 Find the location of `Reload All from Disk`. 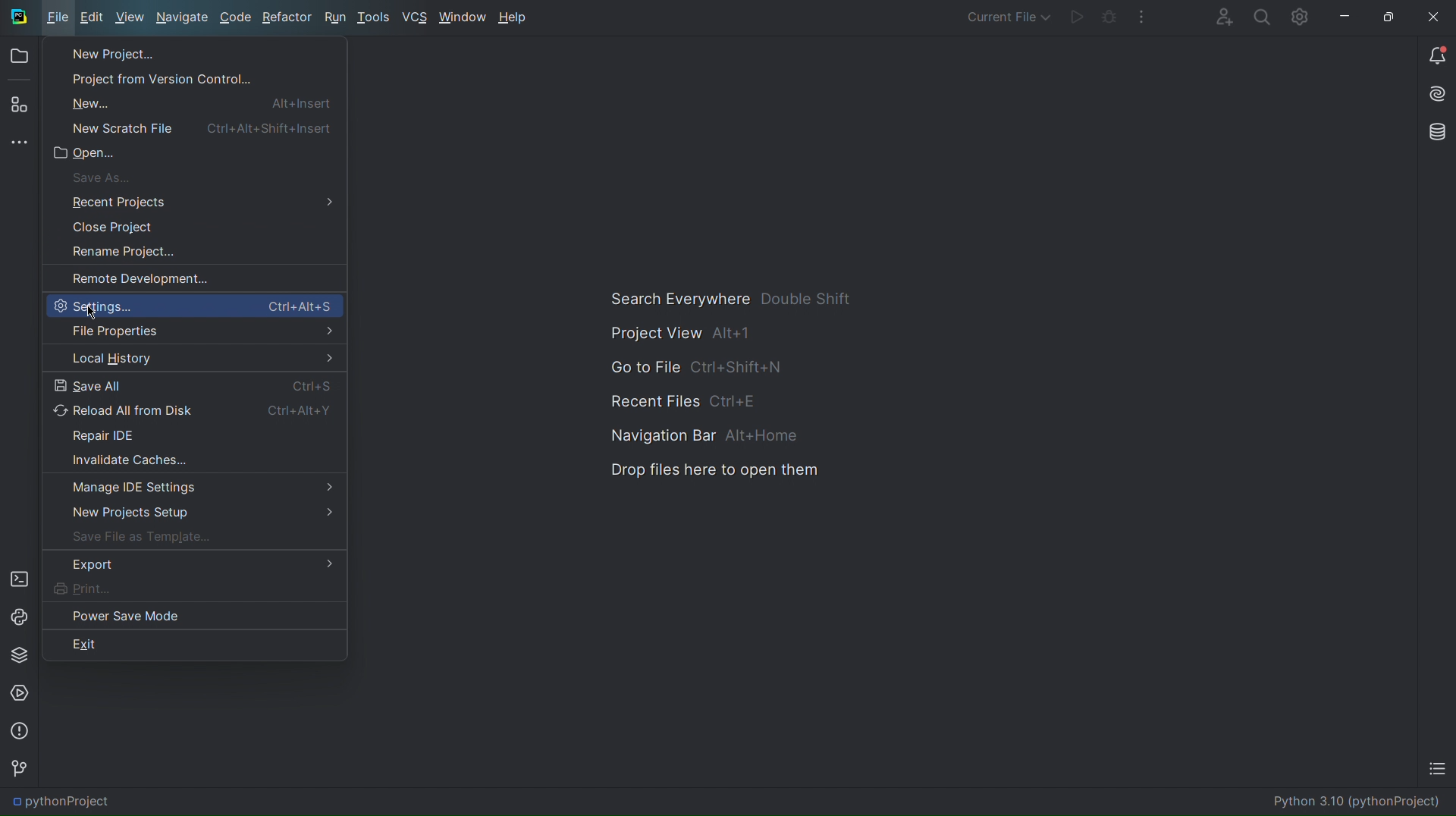

Reload All from Disk is located at coordinates (193, 412).